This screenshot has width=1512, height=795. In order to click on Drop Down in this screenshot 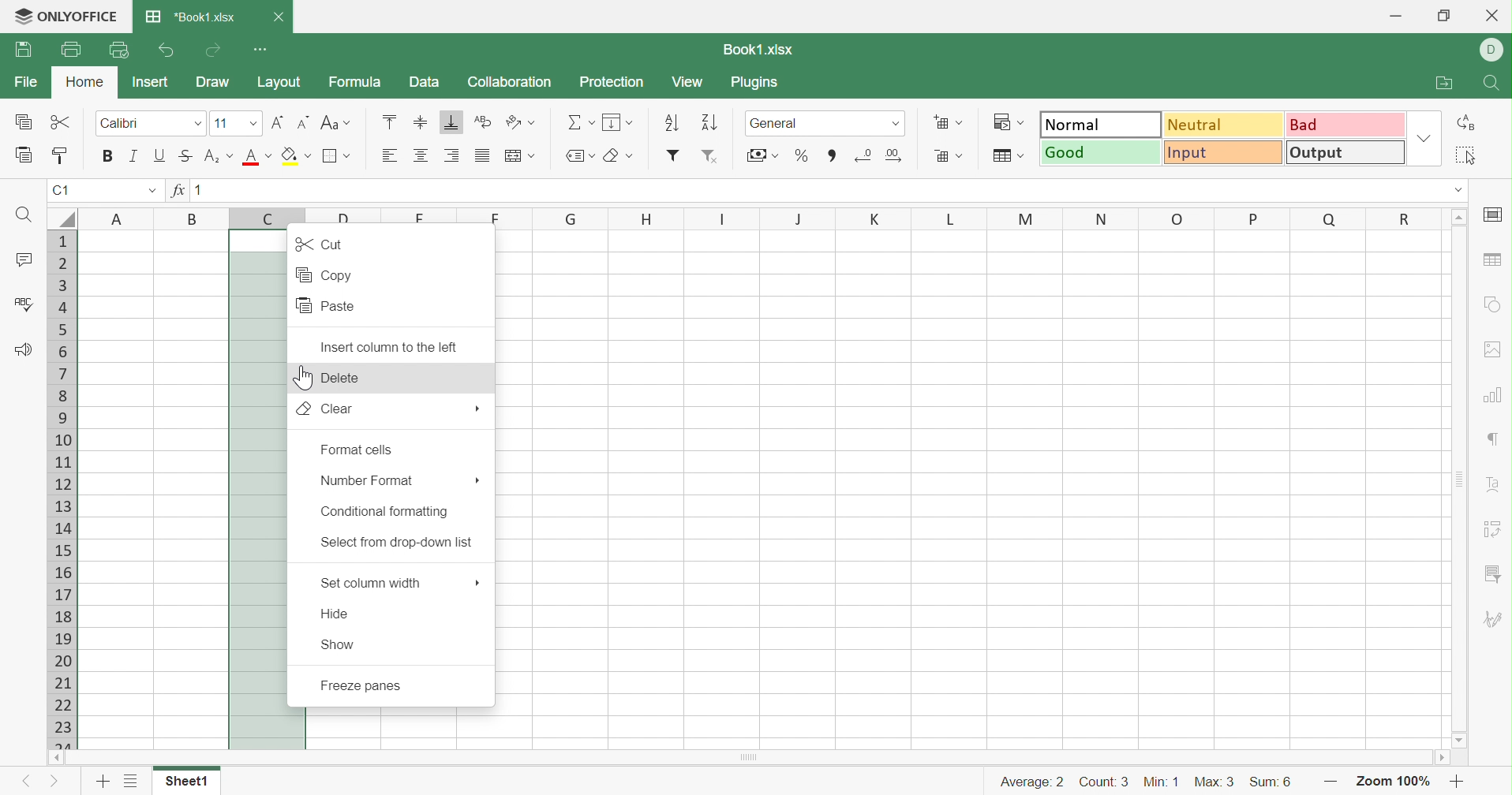, I will do `click(631, 124)`.